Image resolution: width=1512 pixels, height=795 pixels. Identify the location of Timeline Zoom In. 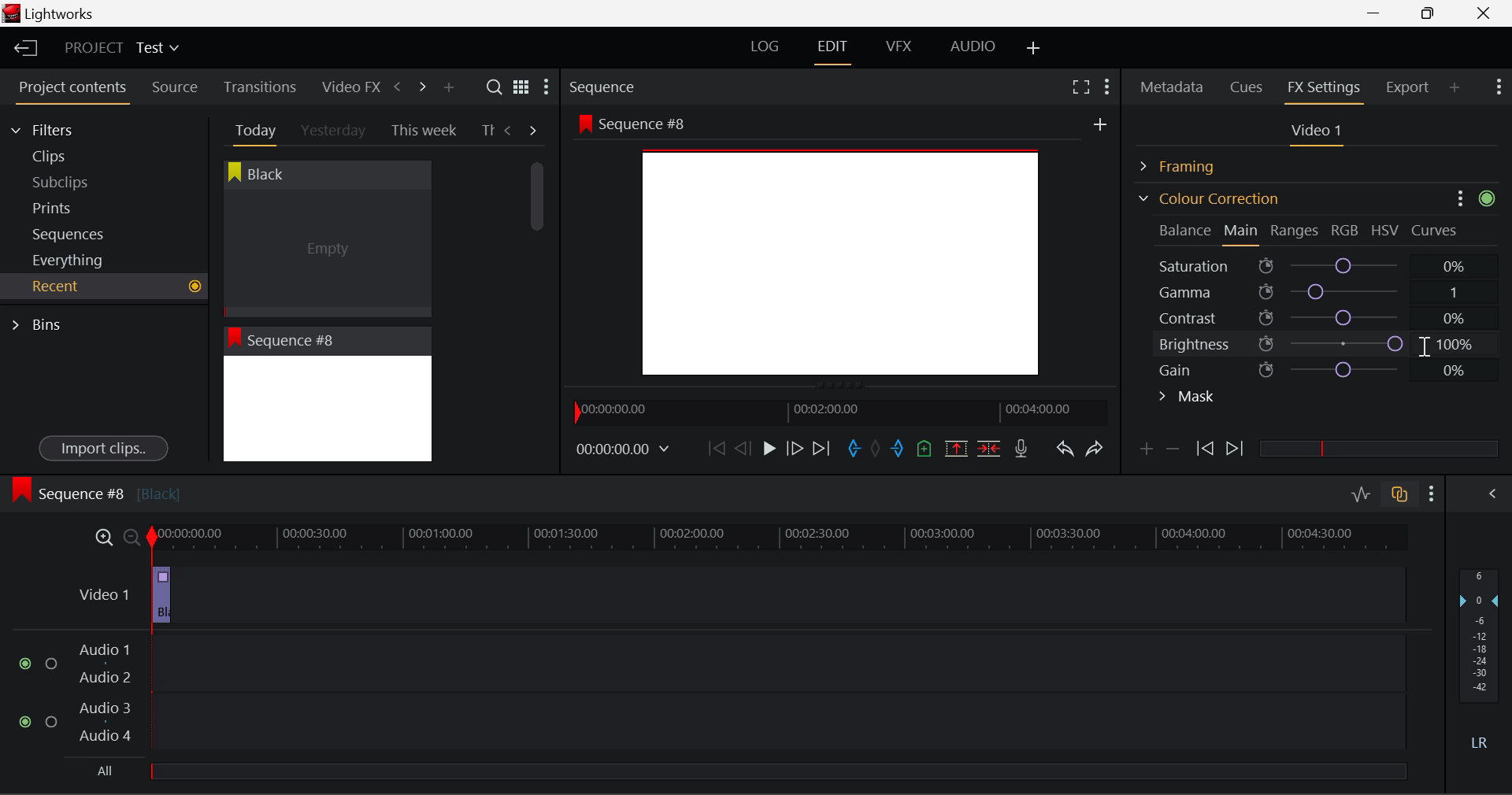
(101, 537).